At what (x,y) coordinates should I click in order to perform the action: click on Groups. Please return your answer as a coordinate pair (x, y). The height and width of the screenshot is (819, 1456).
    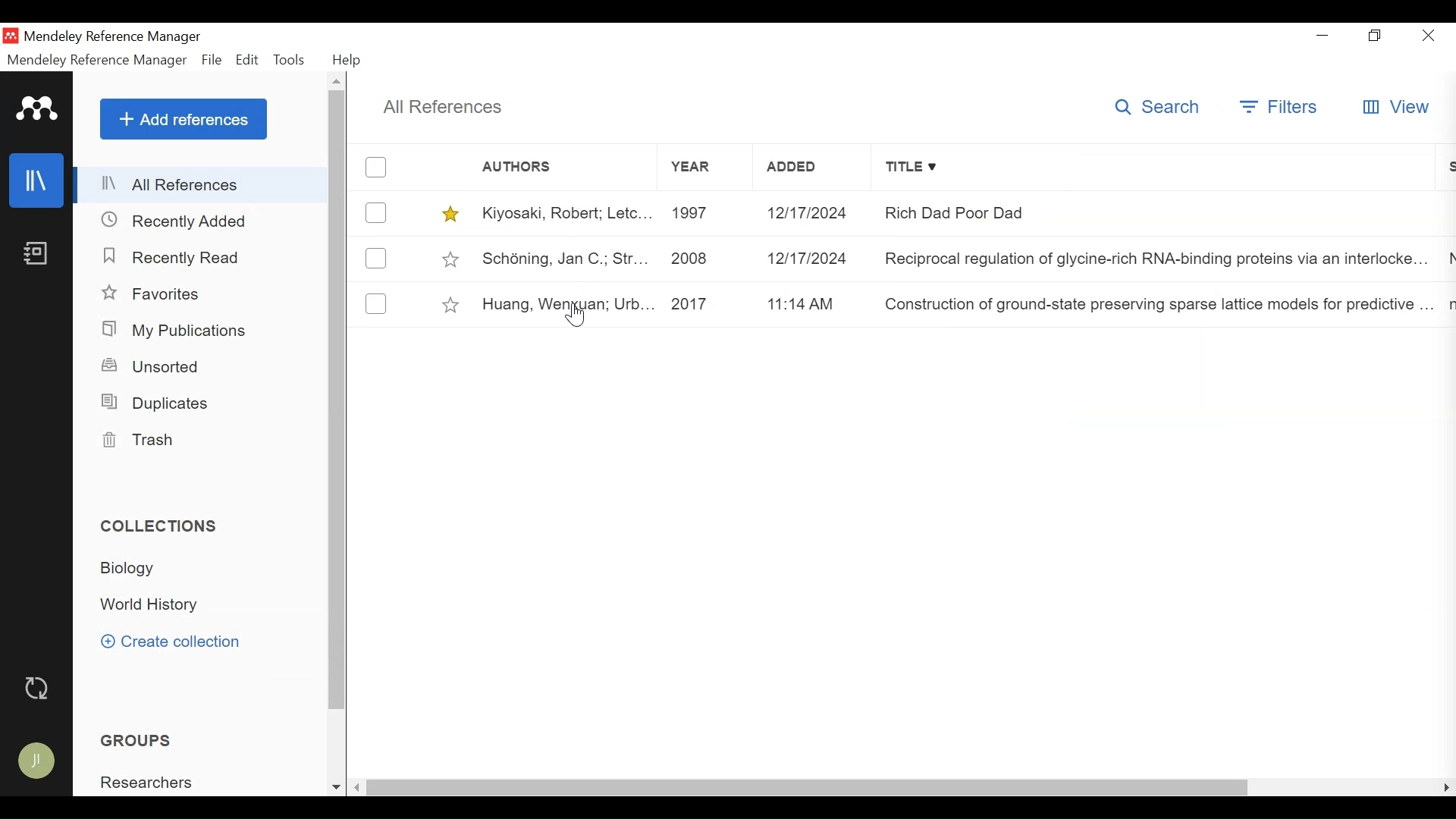
    Looking at the image, I should click on (134, 740).